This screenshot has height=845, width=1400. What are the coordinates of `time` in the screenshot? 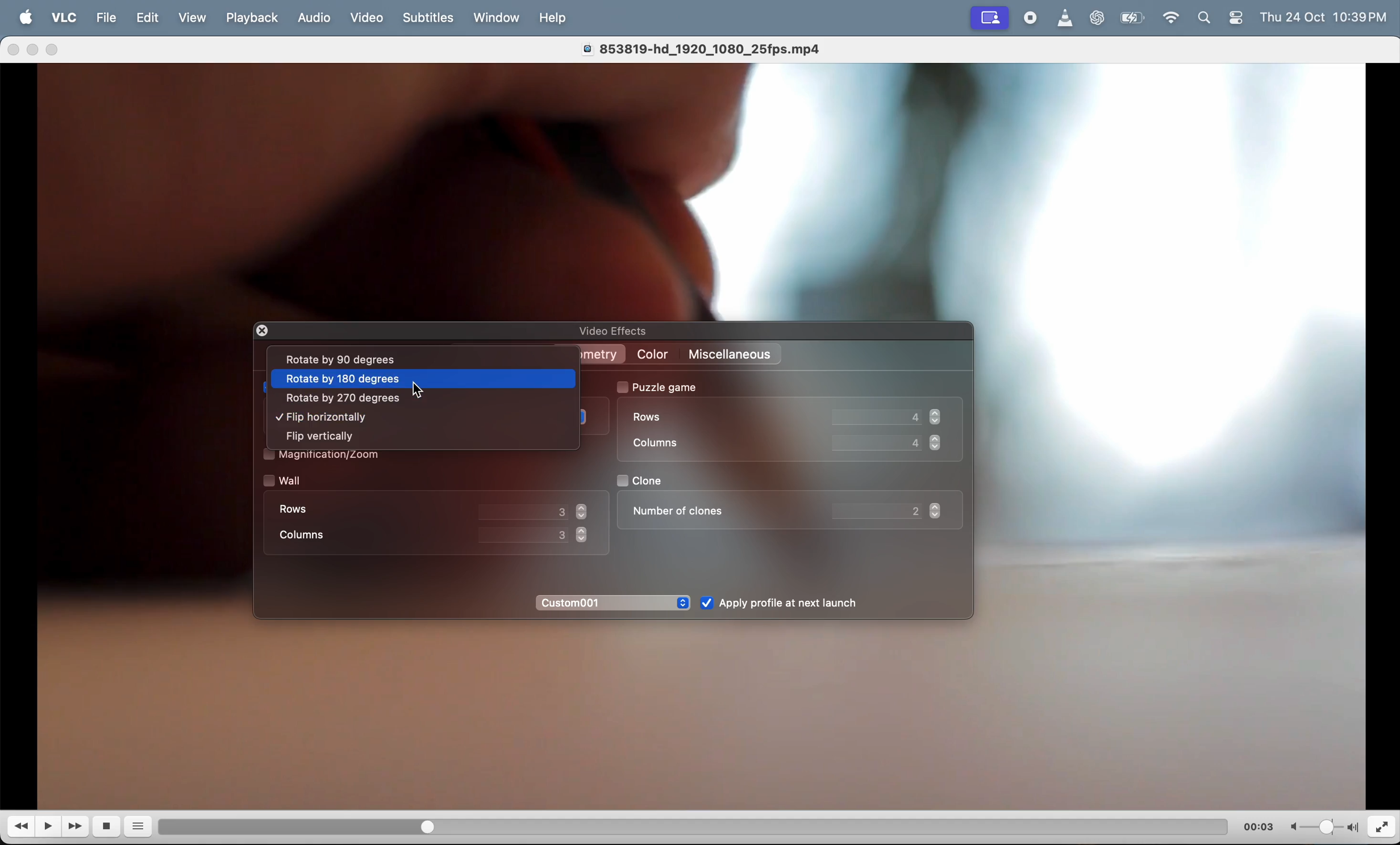 It's located at (1259, 826).